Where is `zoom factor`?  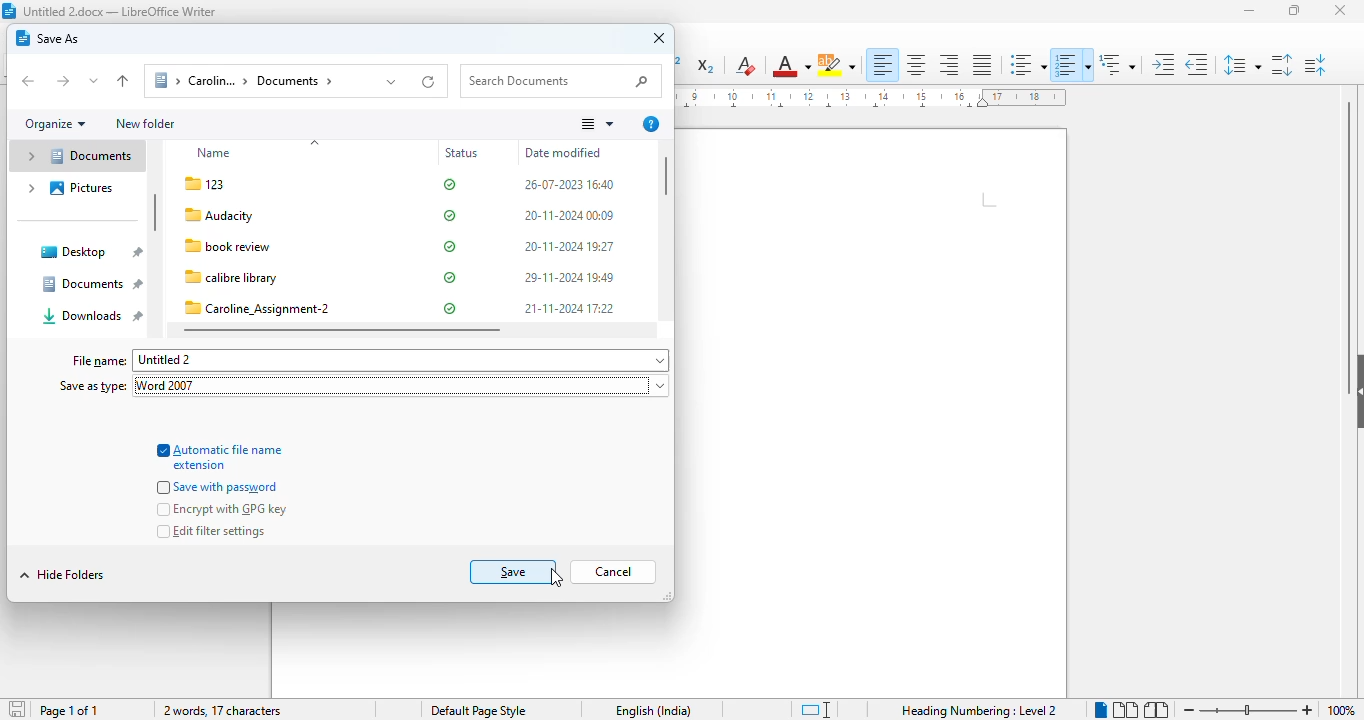
zoom factor is located at coordinates (1341, 710).